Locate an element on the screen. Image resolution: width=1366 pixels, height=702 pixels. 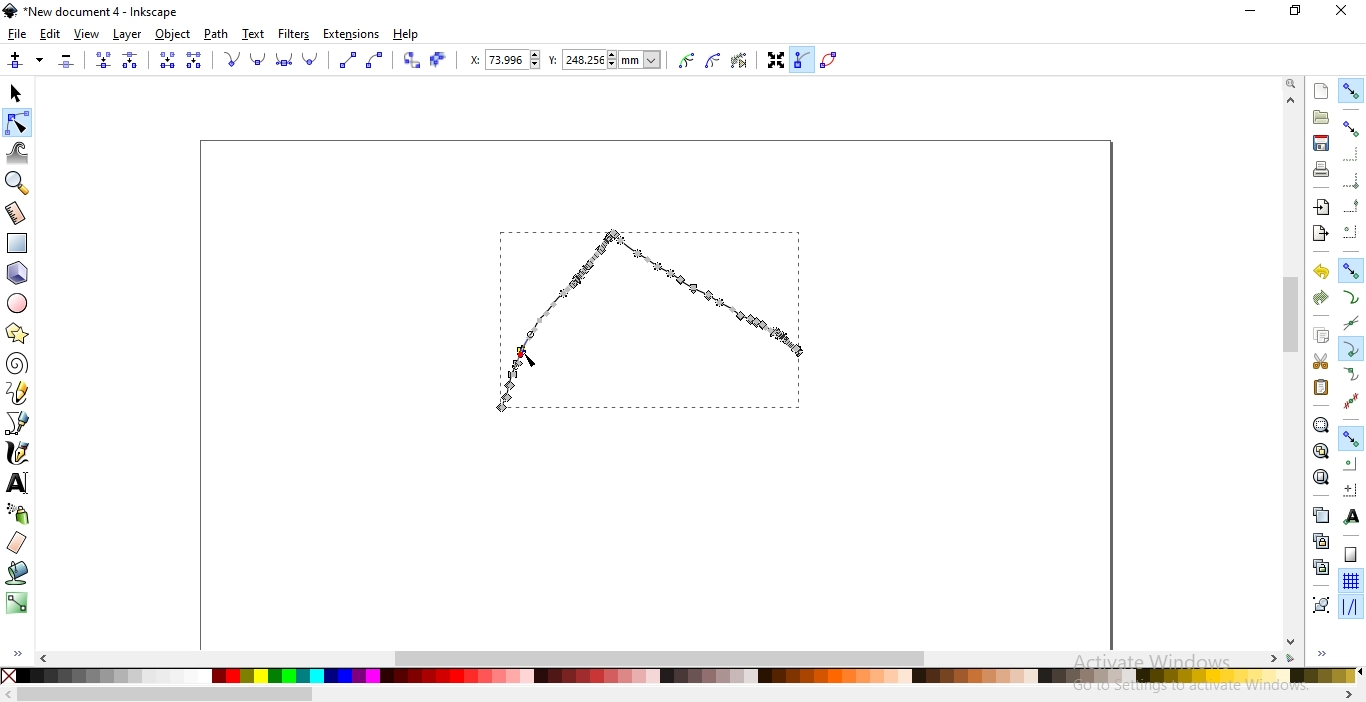
delete selected nodes is located at coordinates (67, 61).